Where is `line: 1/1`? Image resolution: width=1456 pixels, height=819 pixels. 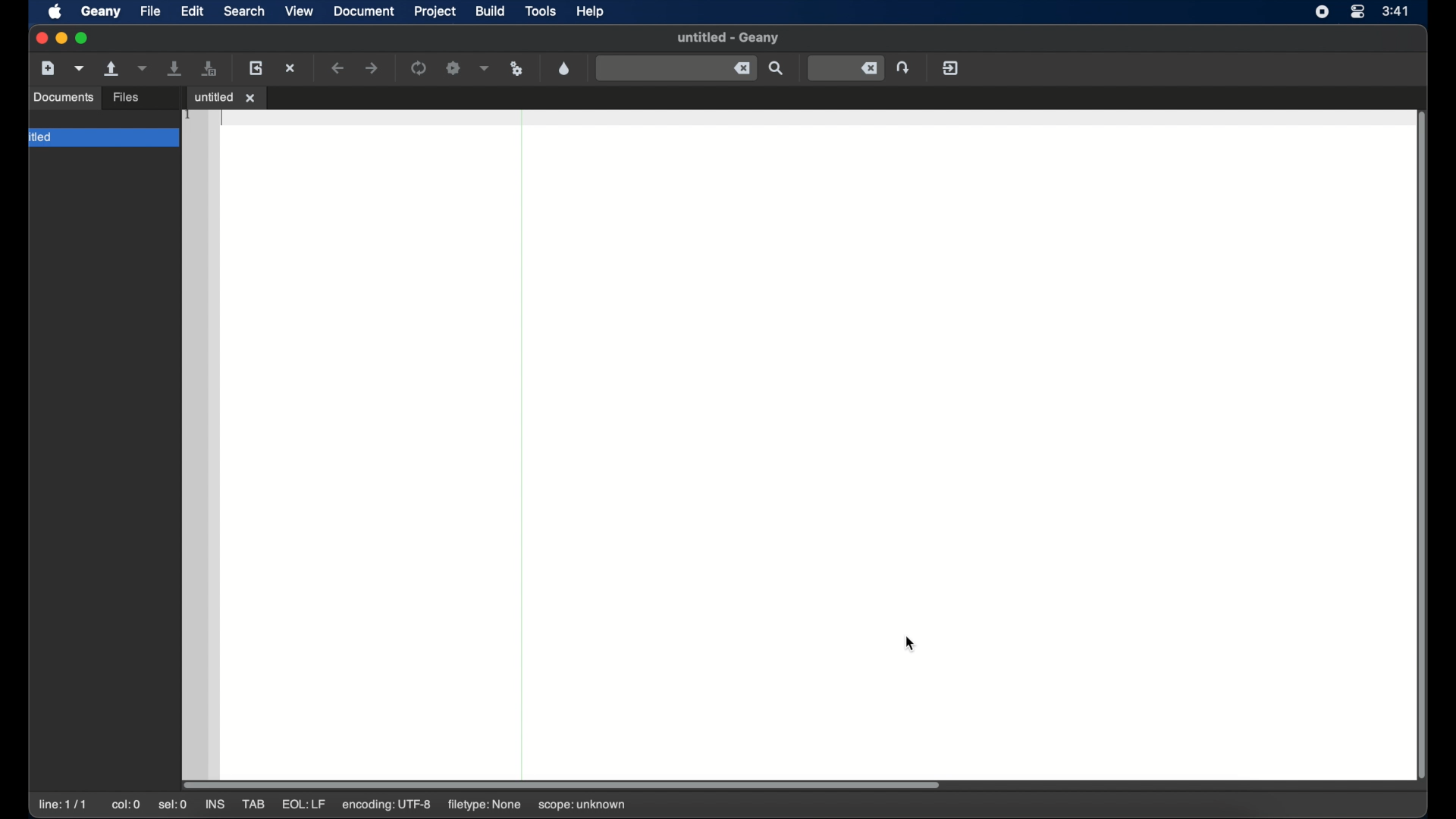 line: 1/1 is located at coordinates (63, 805).